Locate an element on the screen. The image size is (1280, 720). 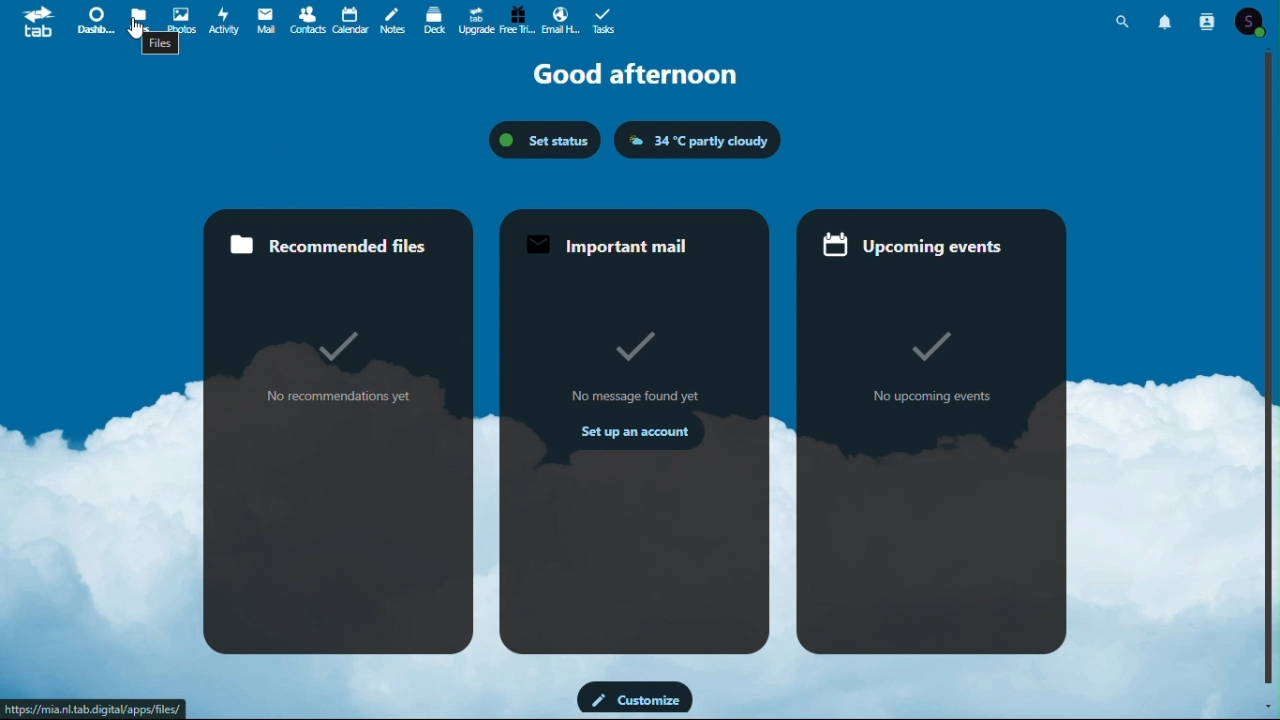
Dashboard is located at coordinates (93, 22).